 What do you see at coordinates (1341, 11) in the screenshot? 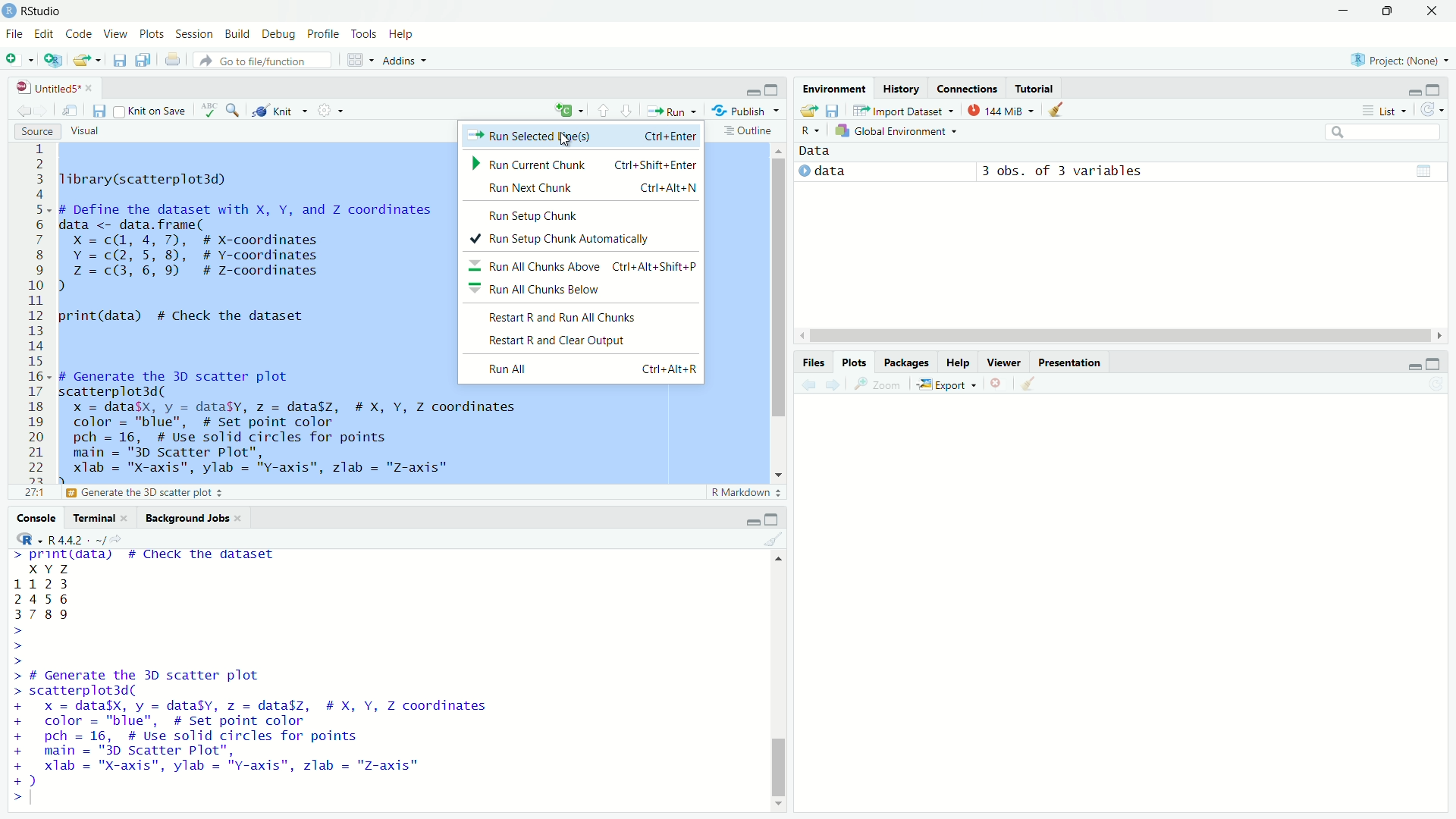
I see `minimize` at bounding box center [1341, 11].